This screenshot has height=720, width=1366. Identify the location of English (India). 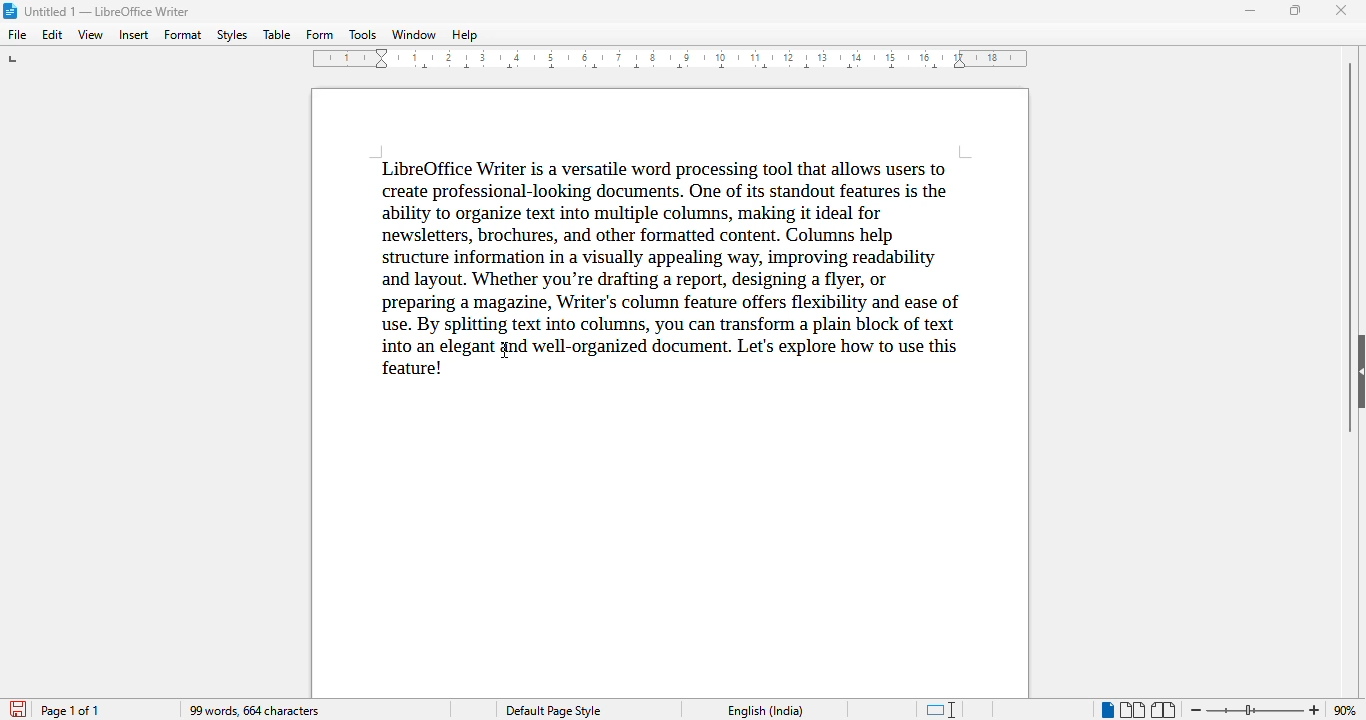
(766, 711).